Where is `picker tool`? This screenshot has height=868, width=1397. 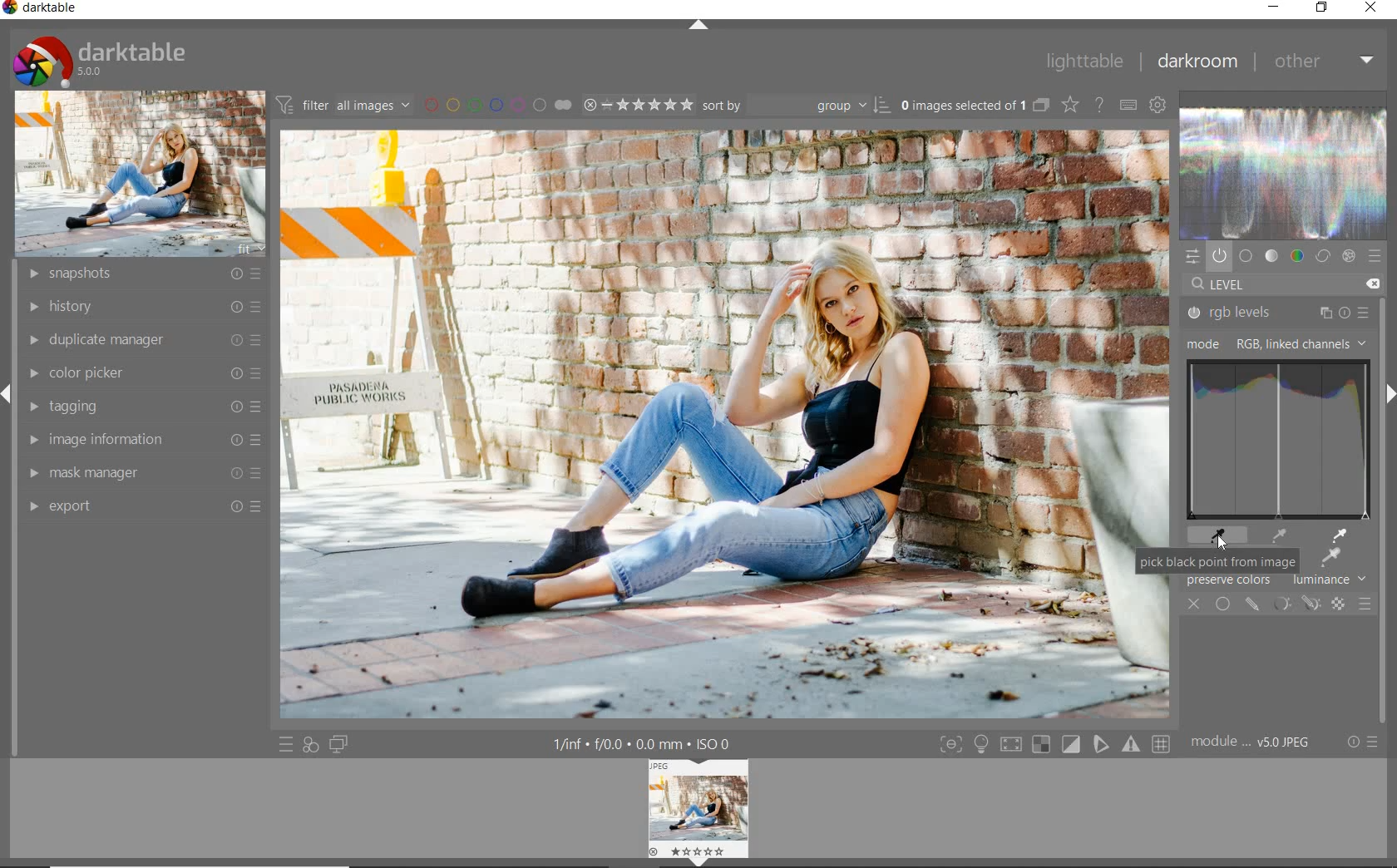
picker tool is located at coordinates (1330, 557).